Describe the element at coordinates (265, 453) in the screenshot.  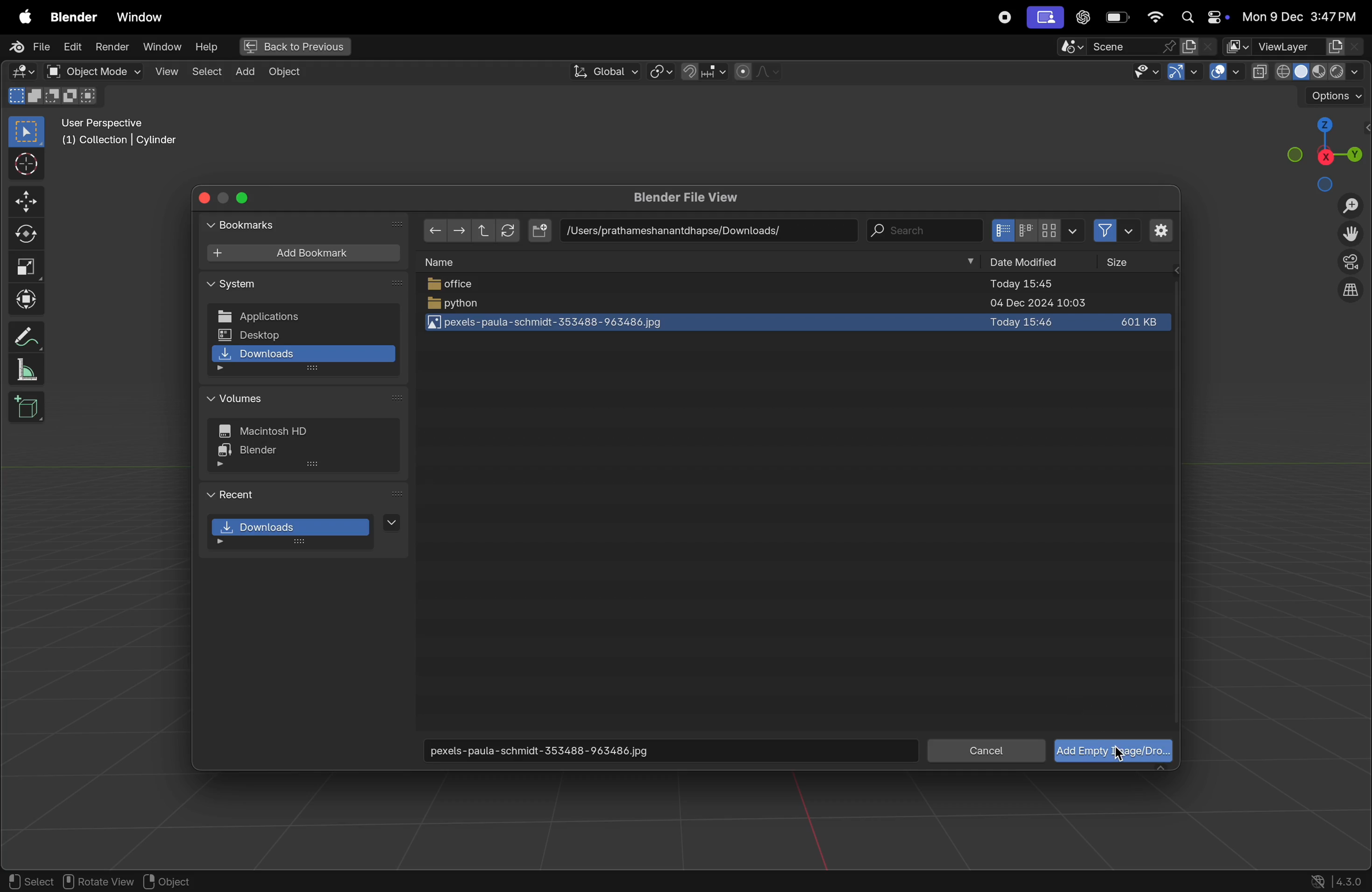
I see `blender` at that location.